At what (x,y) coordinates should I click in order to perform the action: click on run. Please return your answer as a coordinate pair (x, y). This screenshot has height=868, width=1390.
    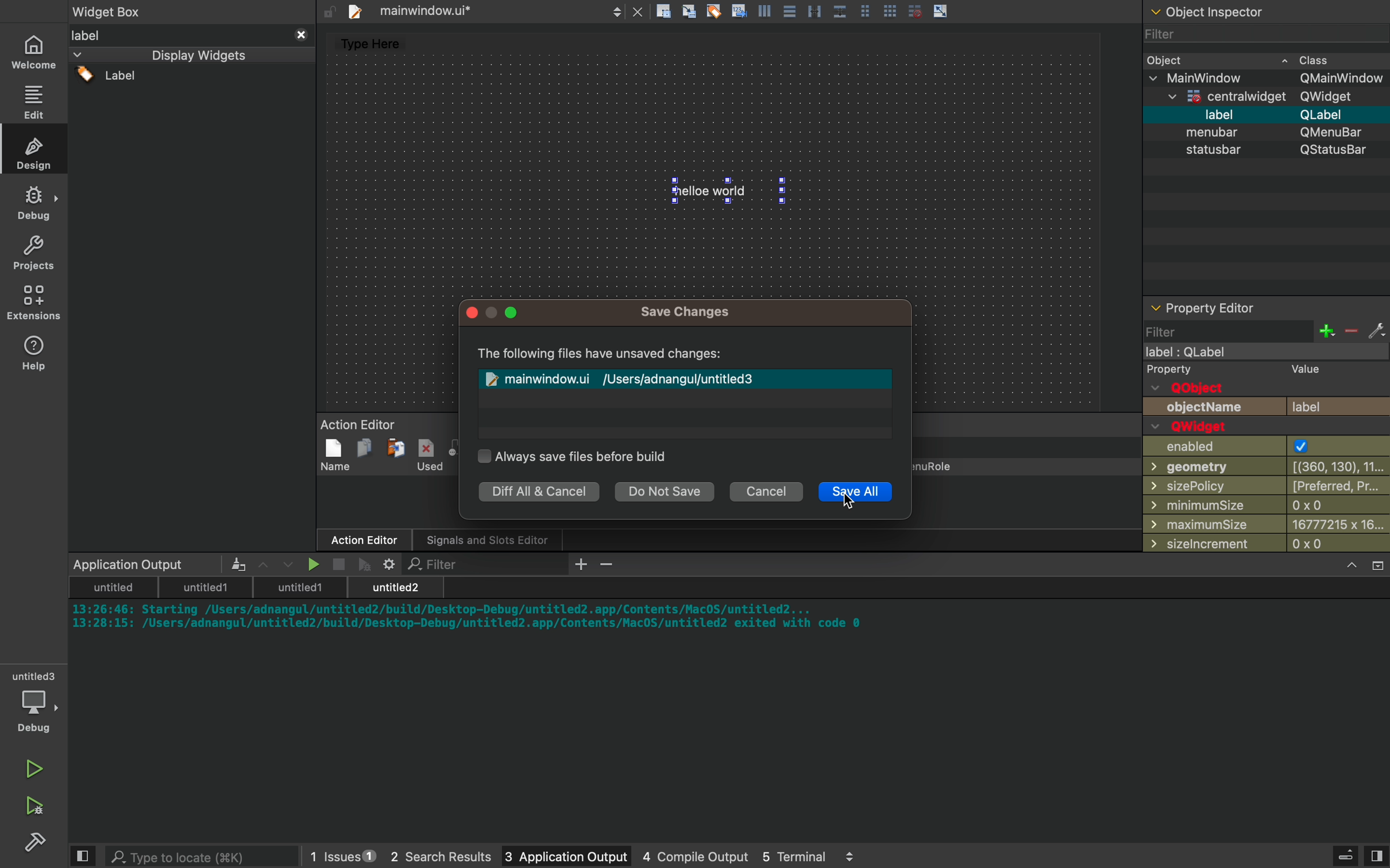
    Looking at the image, I should click on (43, 772).